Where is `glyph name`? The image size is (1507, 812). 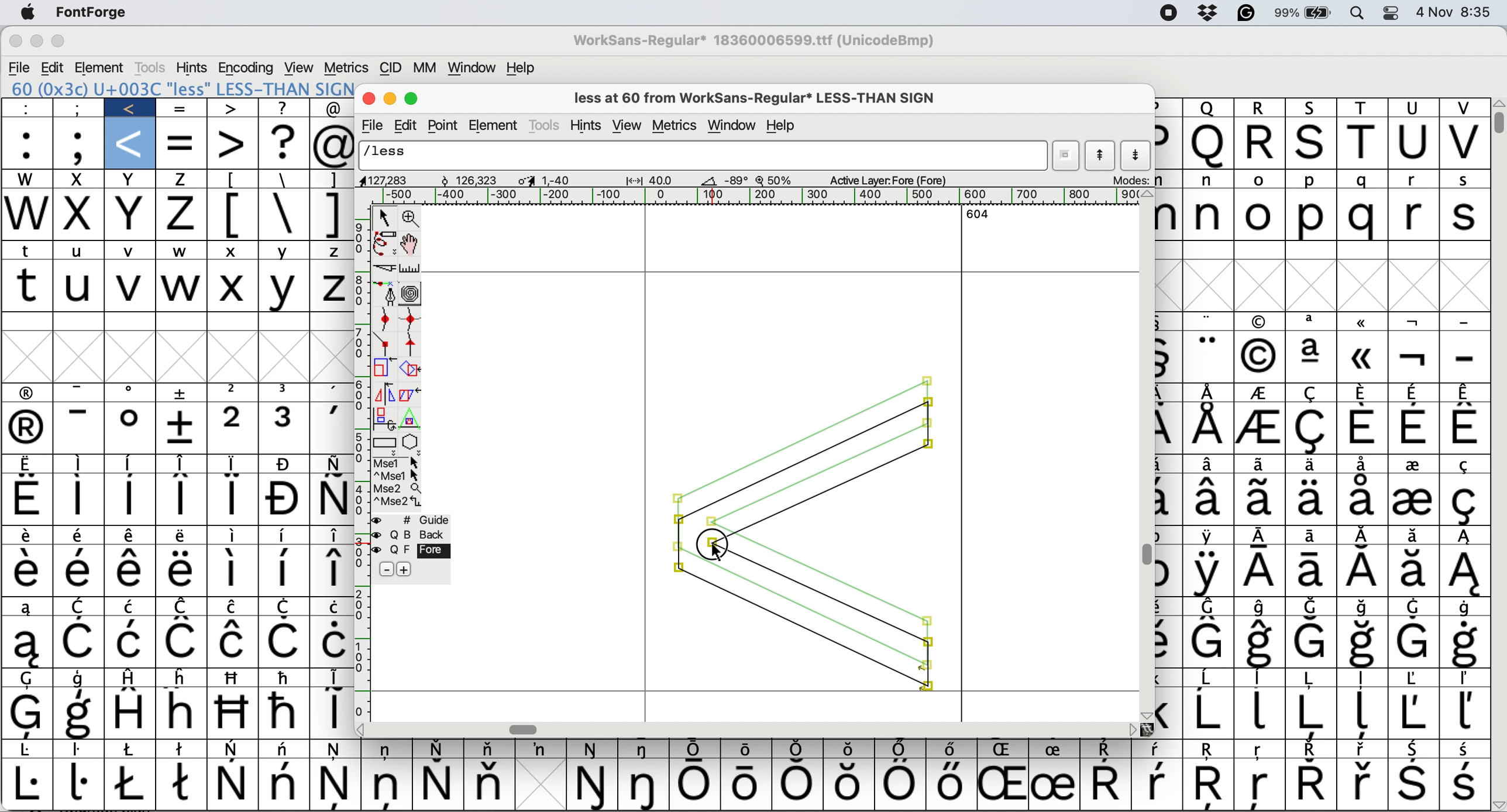 glyph name is located at coordinates (704, 154).